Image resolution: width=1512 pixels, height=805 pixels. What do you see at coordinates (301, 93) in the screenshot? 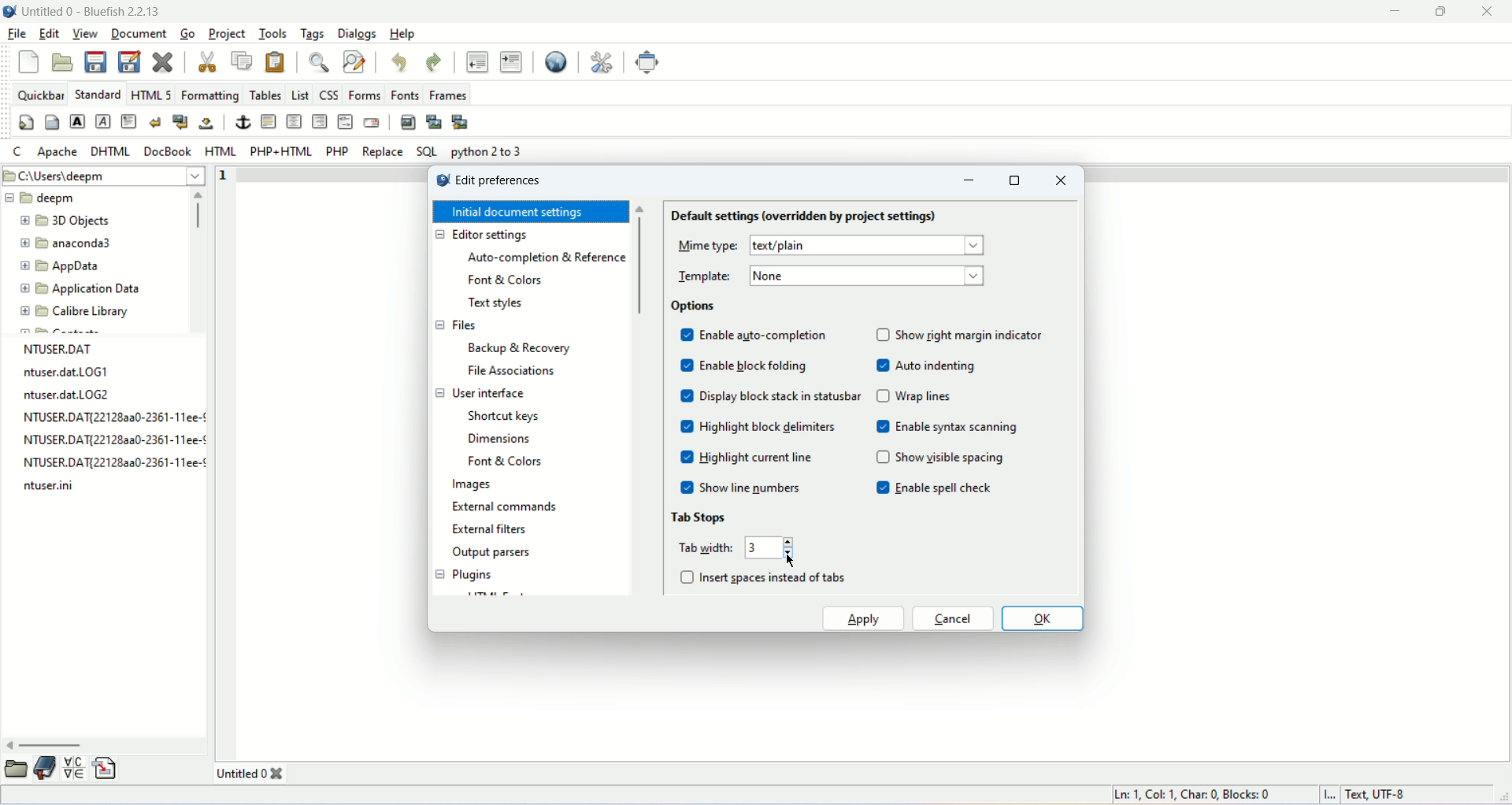
I see `list` at bounding box center [301, 93].